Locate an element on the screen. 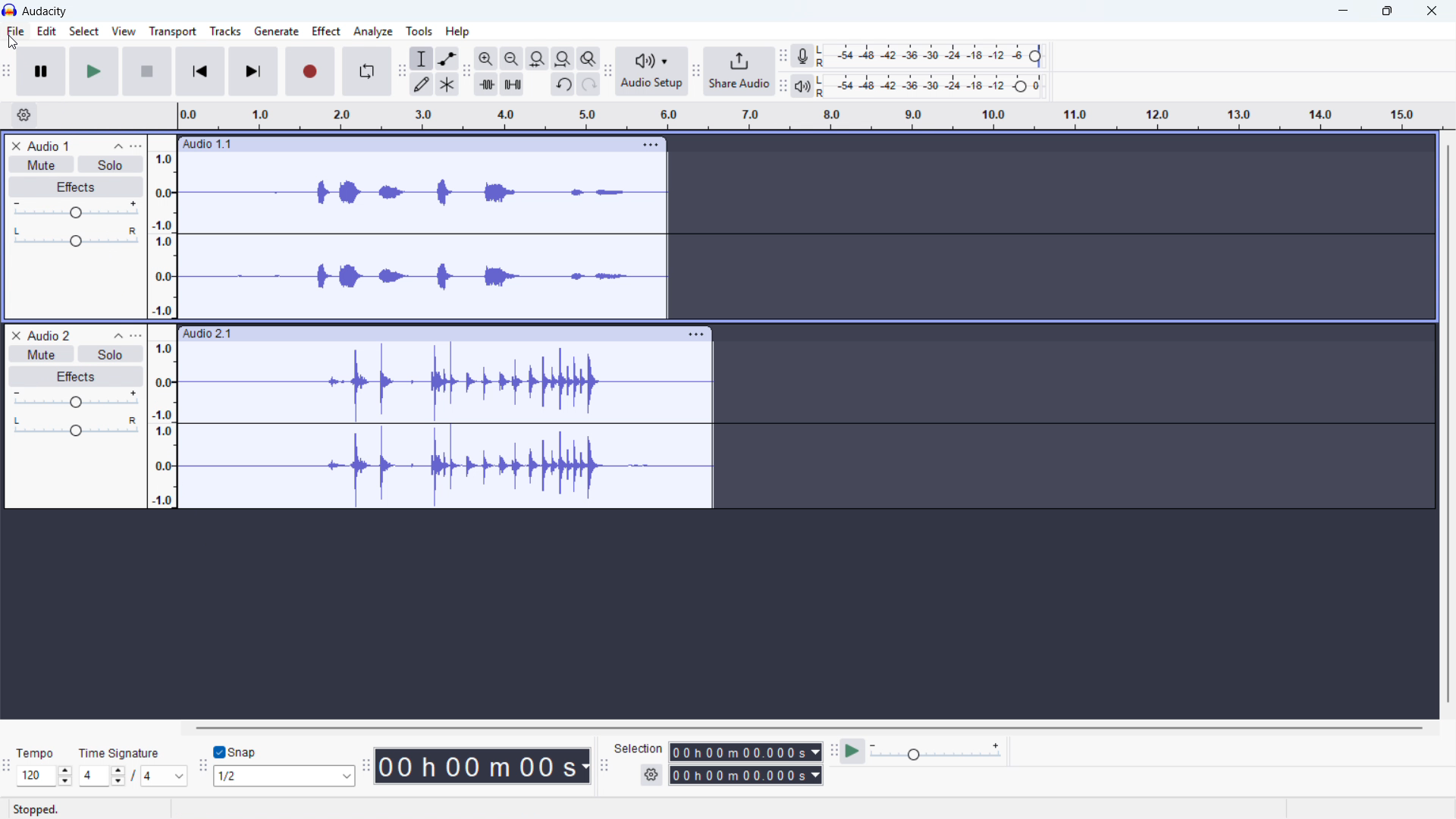  Silence audio selection  is located at coordinates (512, 84).